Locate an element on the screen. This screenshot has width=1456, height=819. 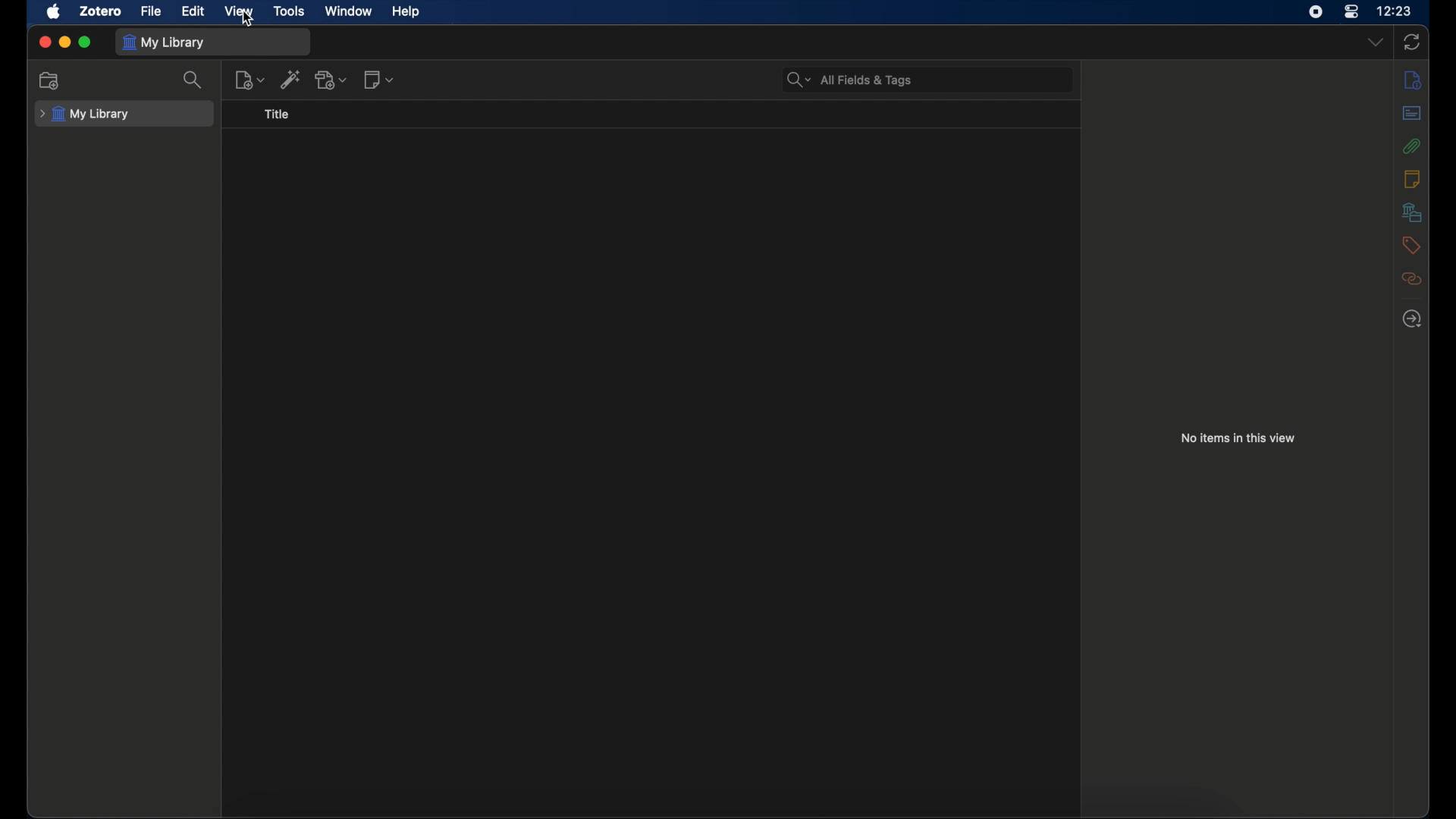
new collection is located at coordinates (49, 80).